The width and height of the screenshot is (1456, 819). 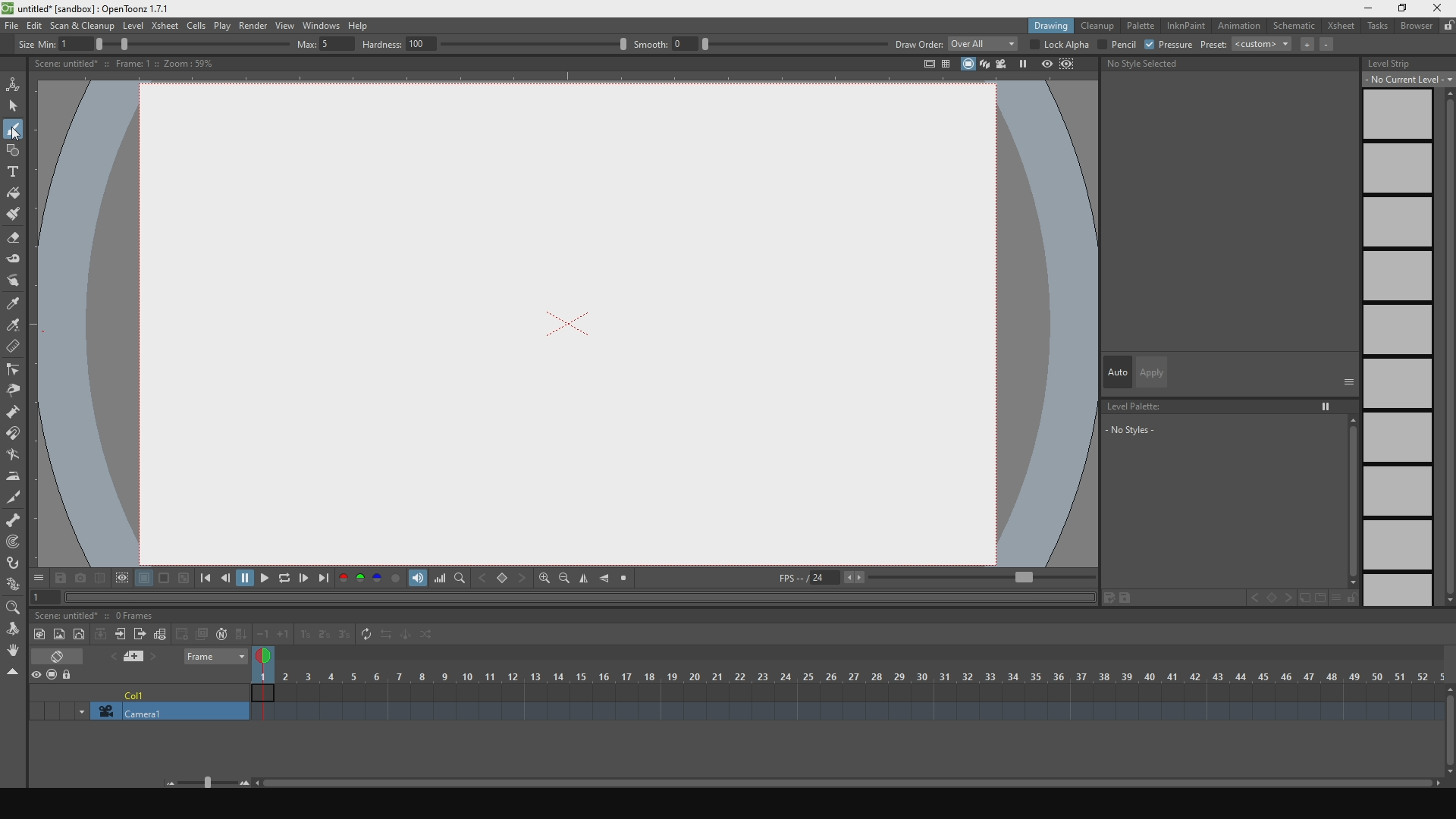 What do you see at coordinates (1438, 8) in the screenshot?
I see `close` at bounding box center [1438, 8].